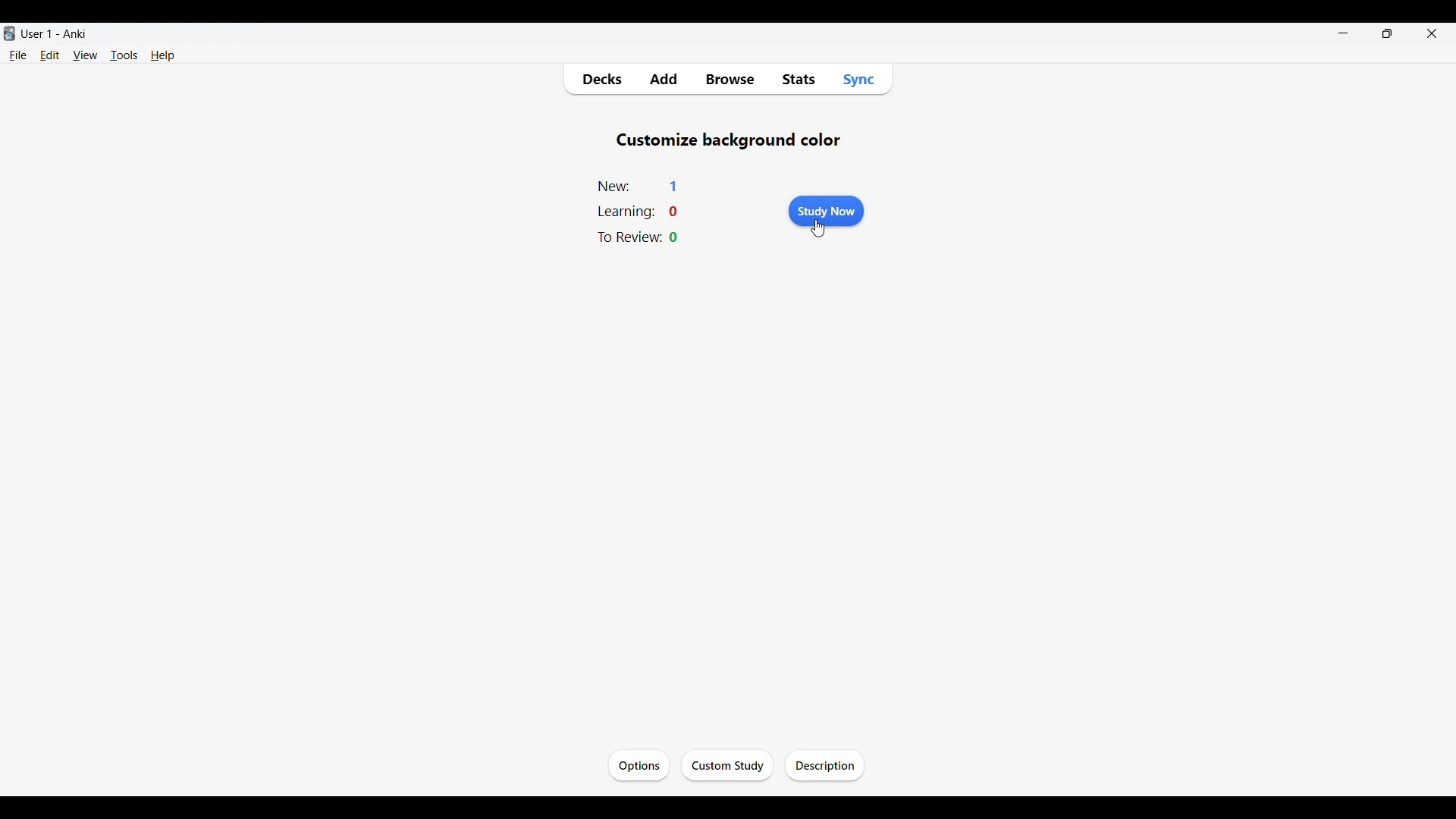  What do you see at coordinates (798, 80) in the screenshot?
I see `Stats` at bounding box center [798, 80].